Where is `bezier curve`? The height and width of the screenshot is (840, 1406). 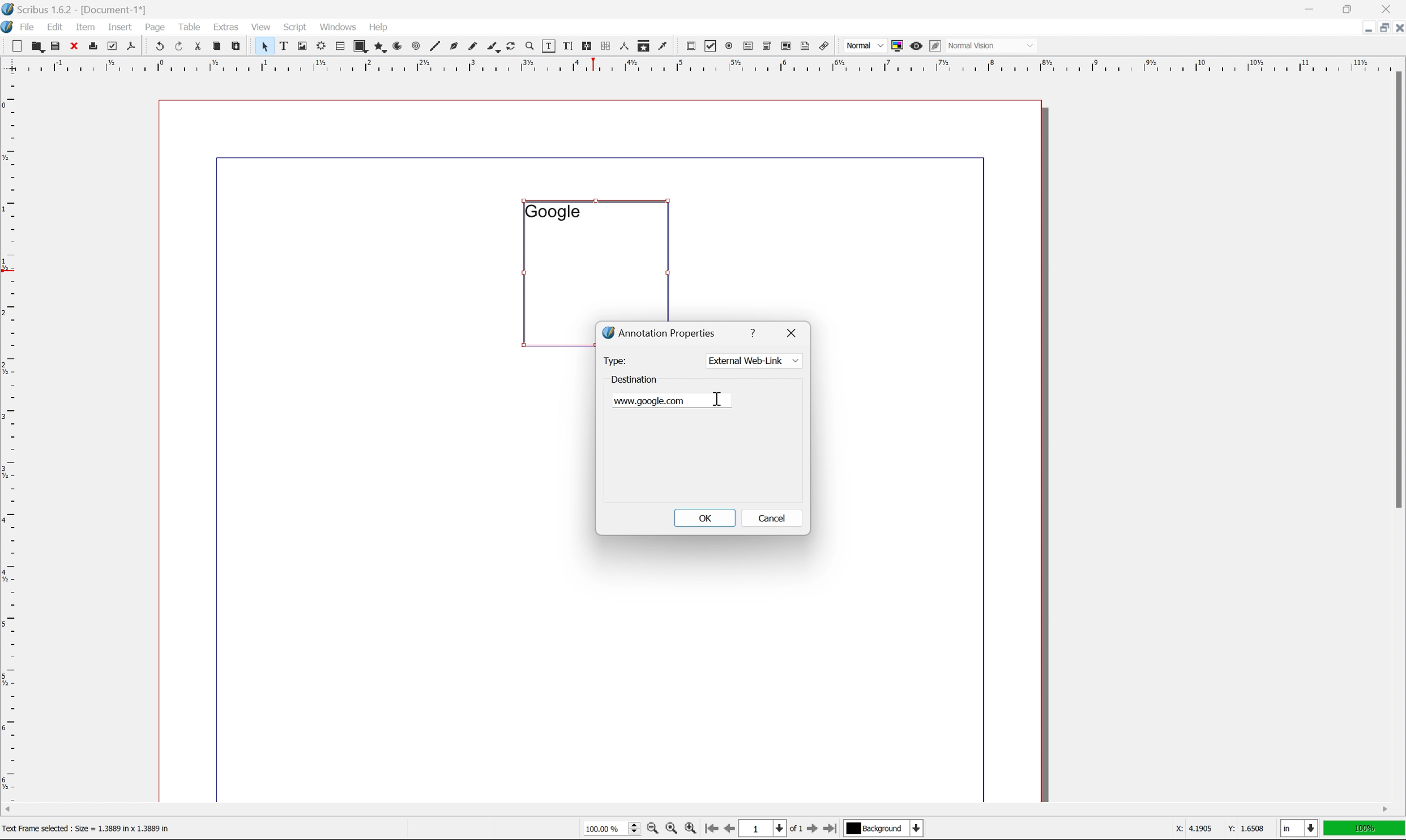
bezier curve is located at coordinates (454, 46).